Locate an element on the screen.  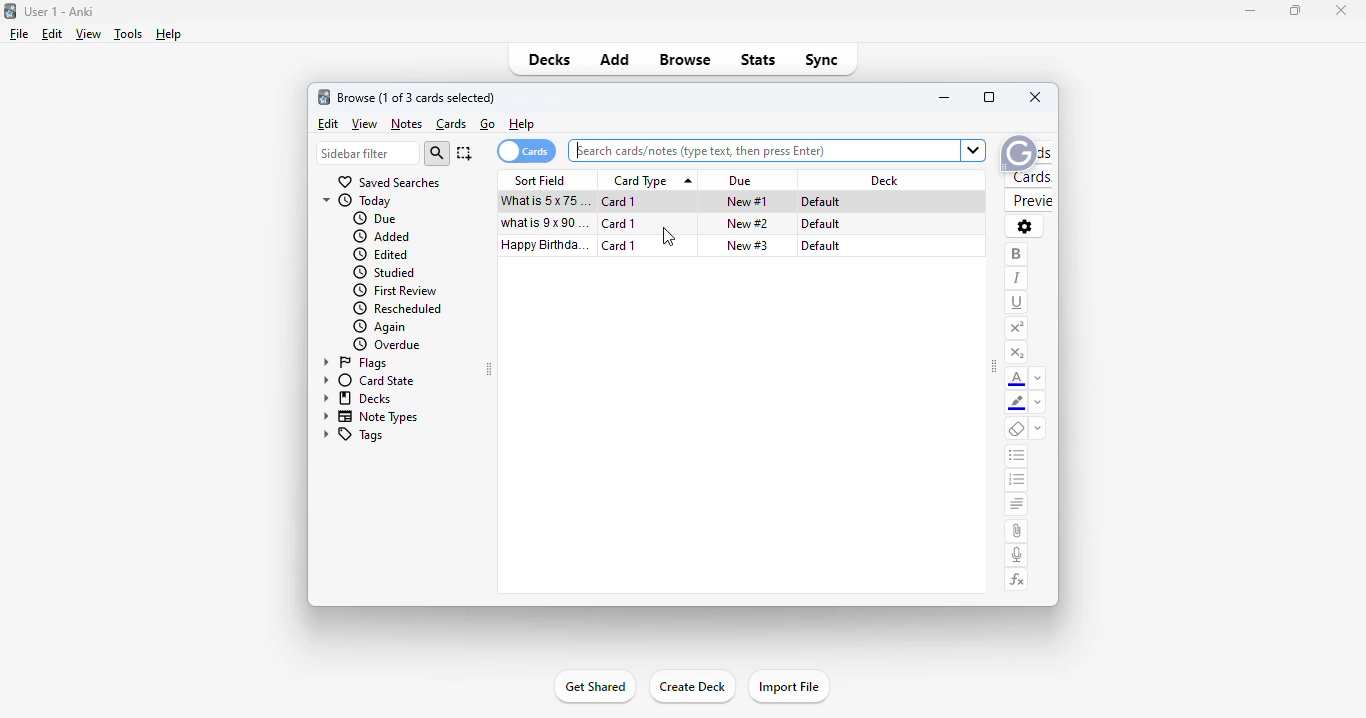
toggle sidebar is located at coordinates (488, 369).